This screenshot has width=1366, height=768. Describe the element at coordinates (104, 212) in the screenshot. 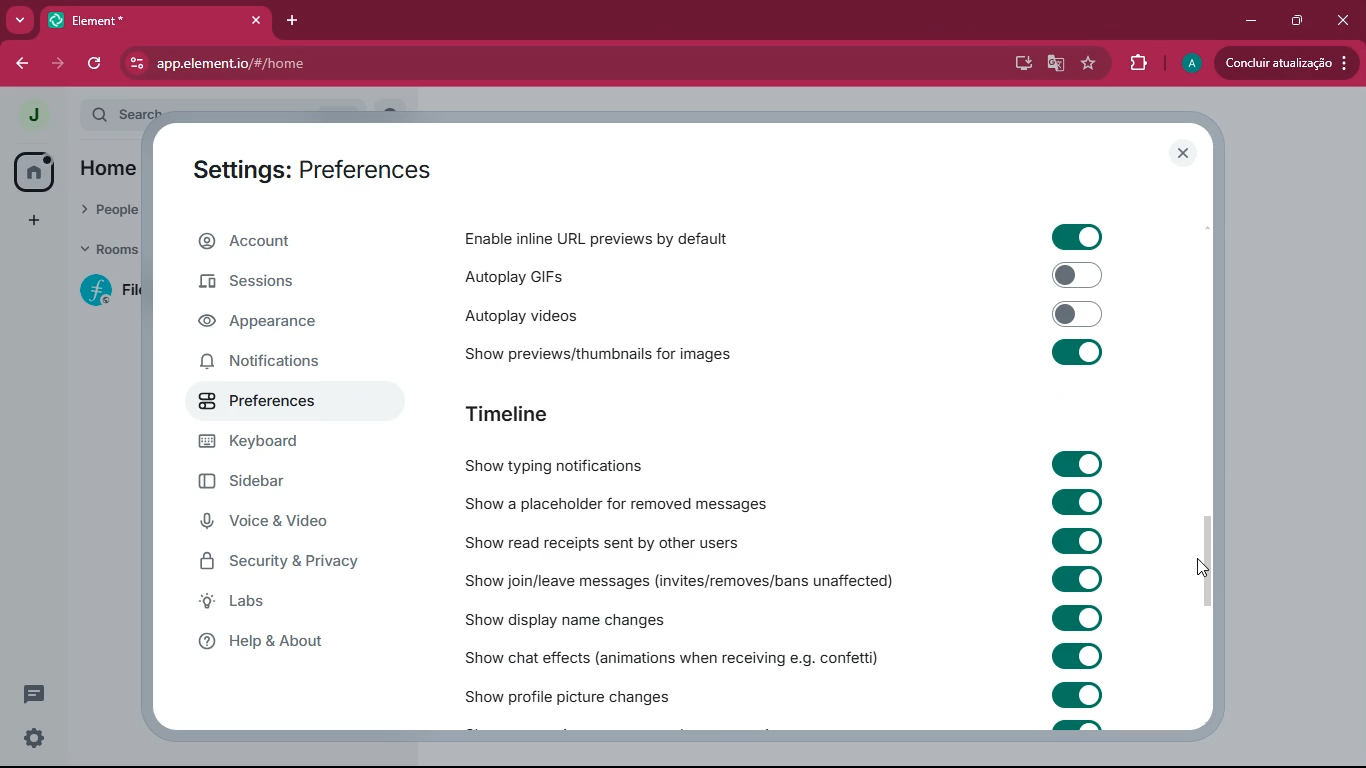

I see `people` at that location.